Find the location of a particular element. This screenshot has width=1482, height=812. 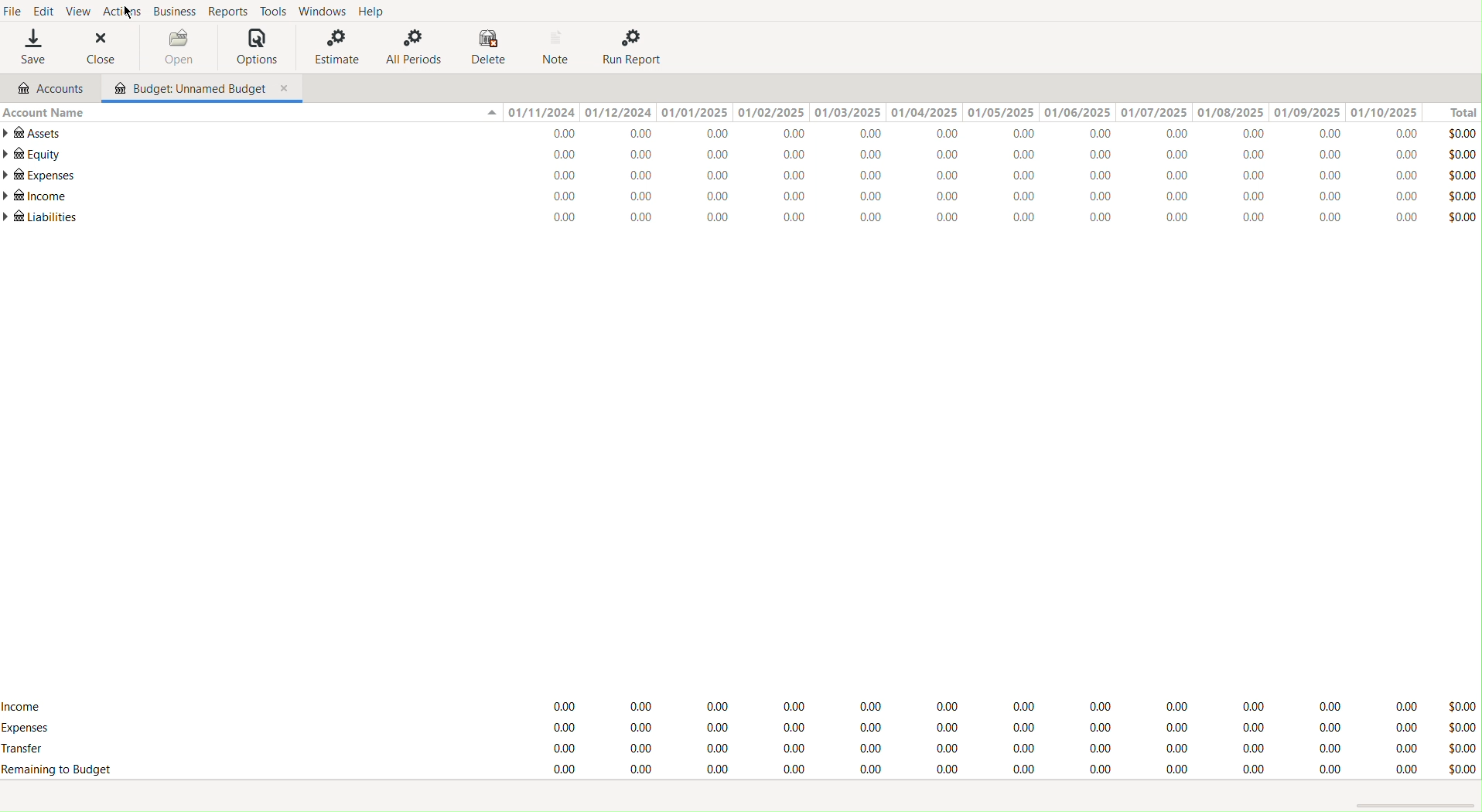

Save is located at coordinates (32, 49).